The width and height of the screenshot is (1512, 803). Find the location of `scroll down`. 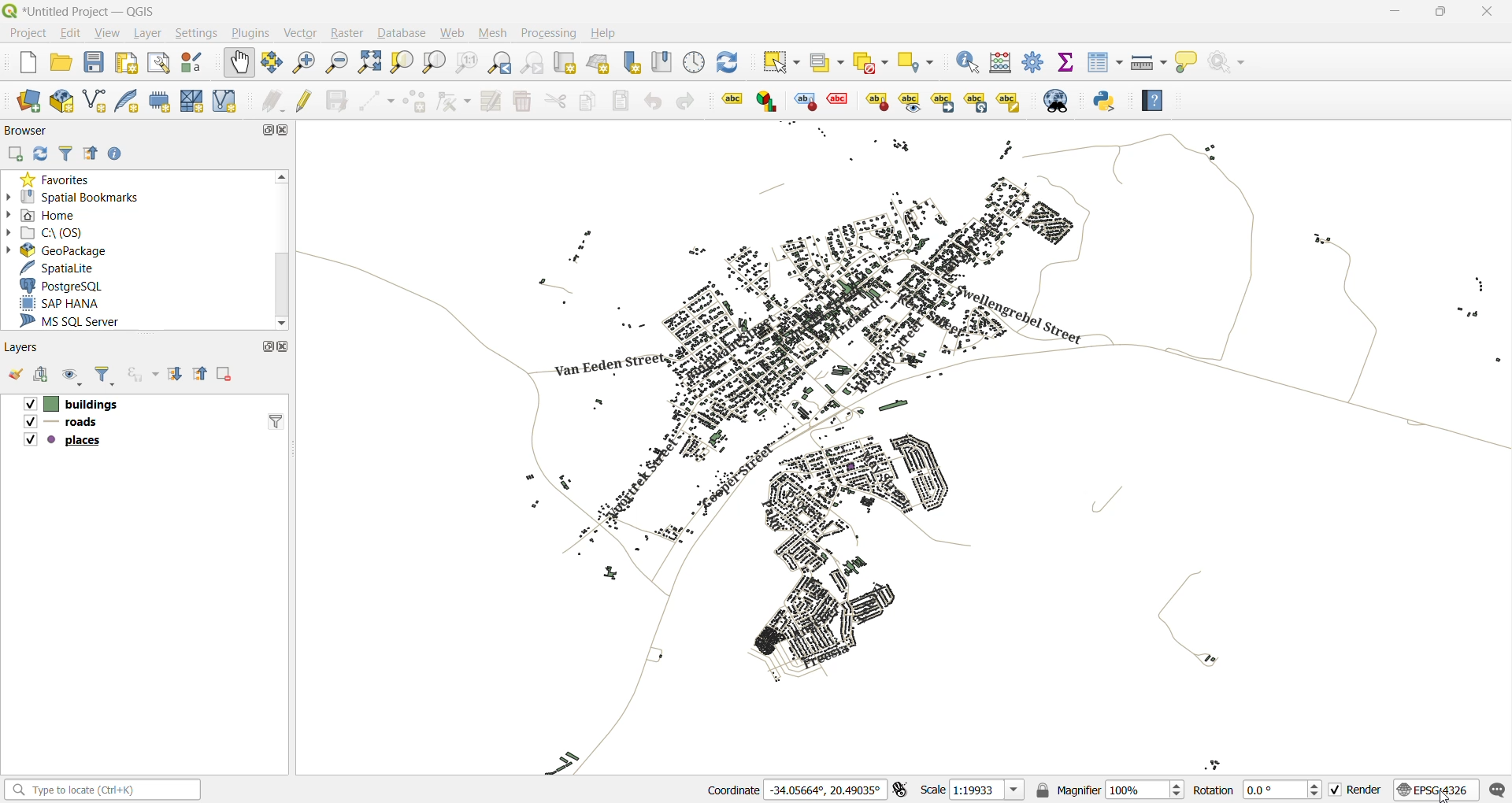

scroll down is located at coordinates (279, 323).